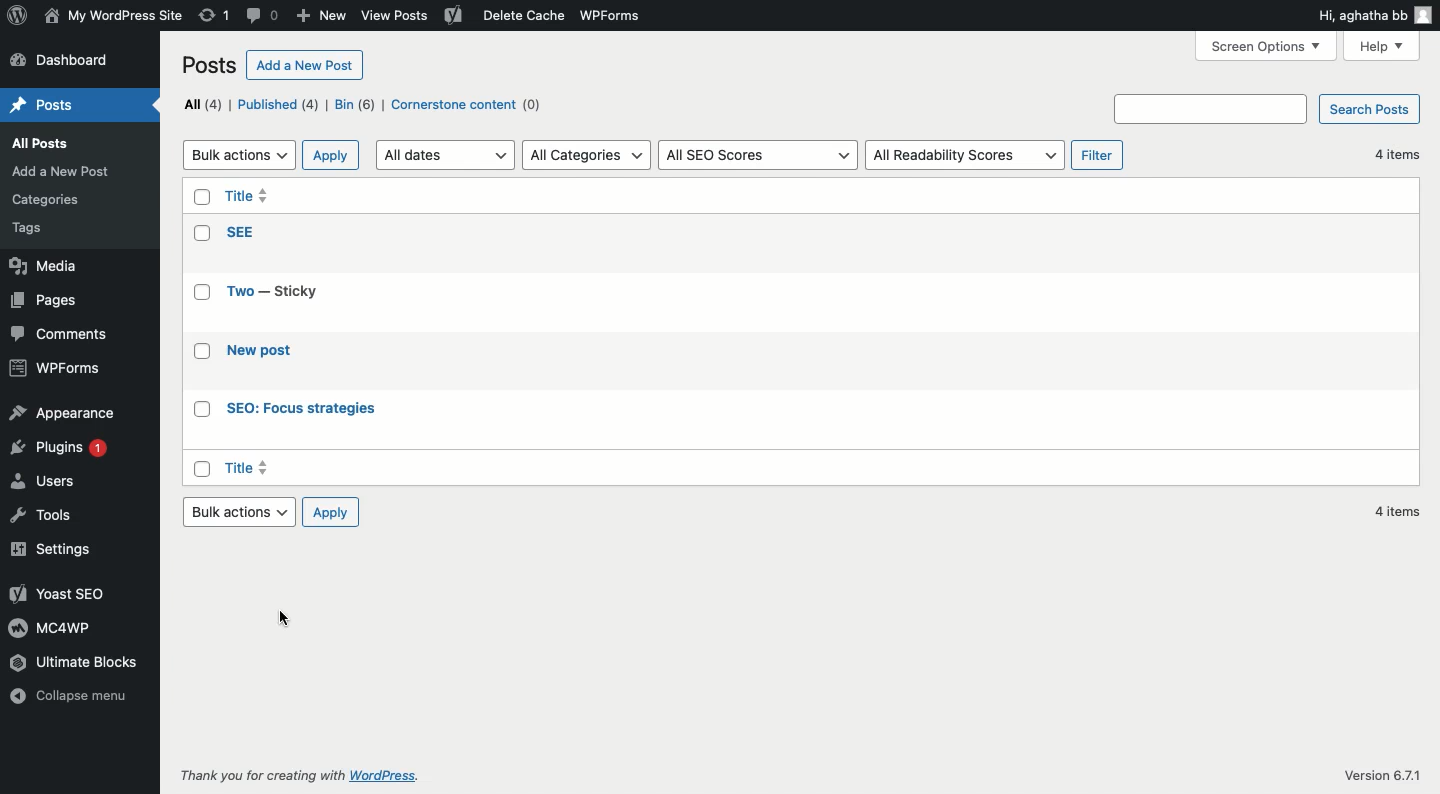 This screenshot has height=794, width=1440. What do you see at coordinates (62, 414) in the screenshot?
I see `Appearance` at bounding box center [62, 414].